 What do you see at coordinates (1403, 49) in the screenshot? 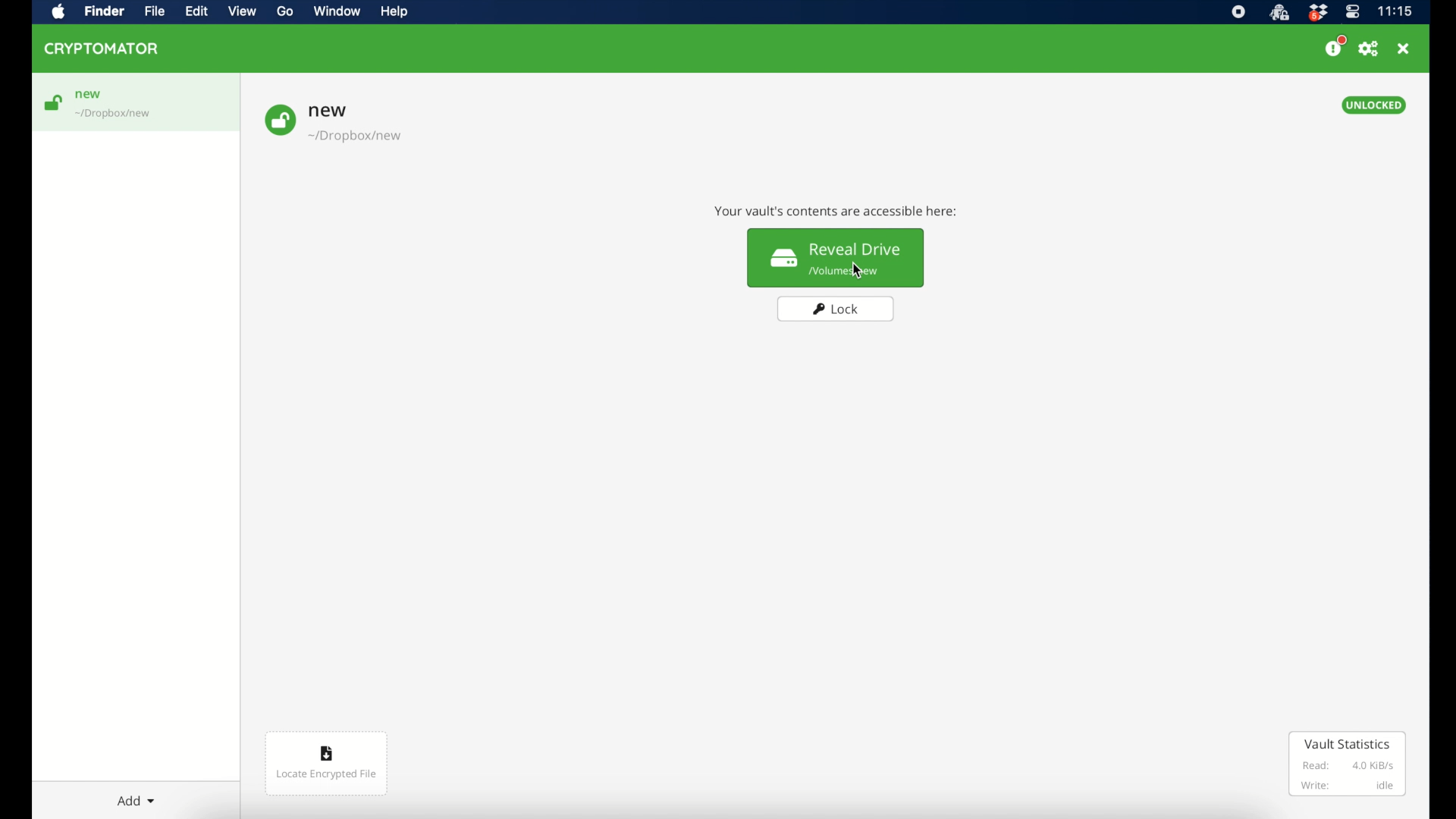
I see `close` at bounding box center [1403, 49].